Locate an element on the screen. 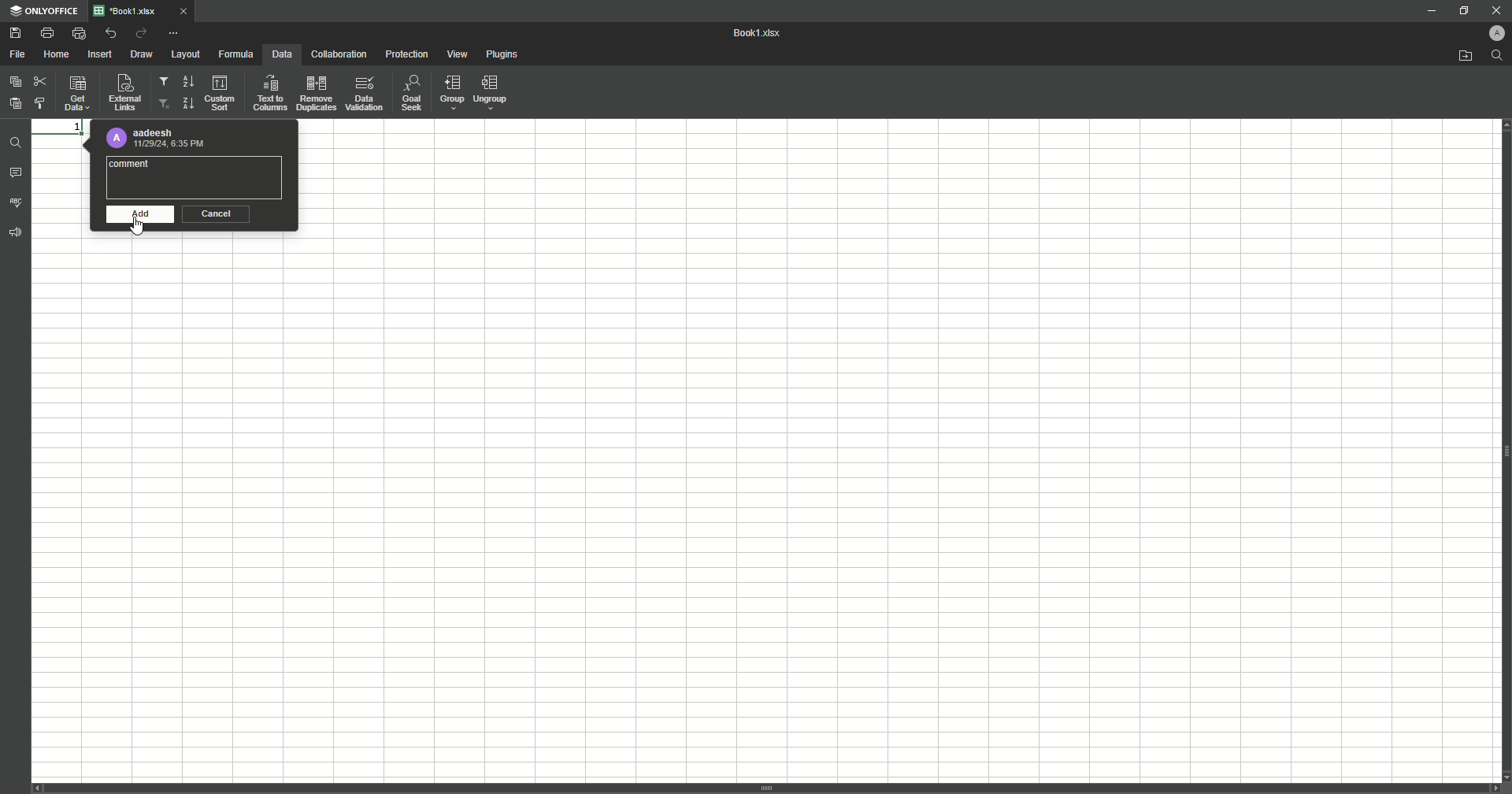 The height and width of the screenshot is (794, 1512). Quick Print is located at coordinates (78, 32).